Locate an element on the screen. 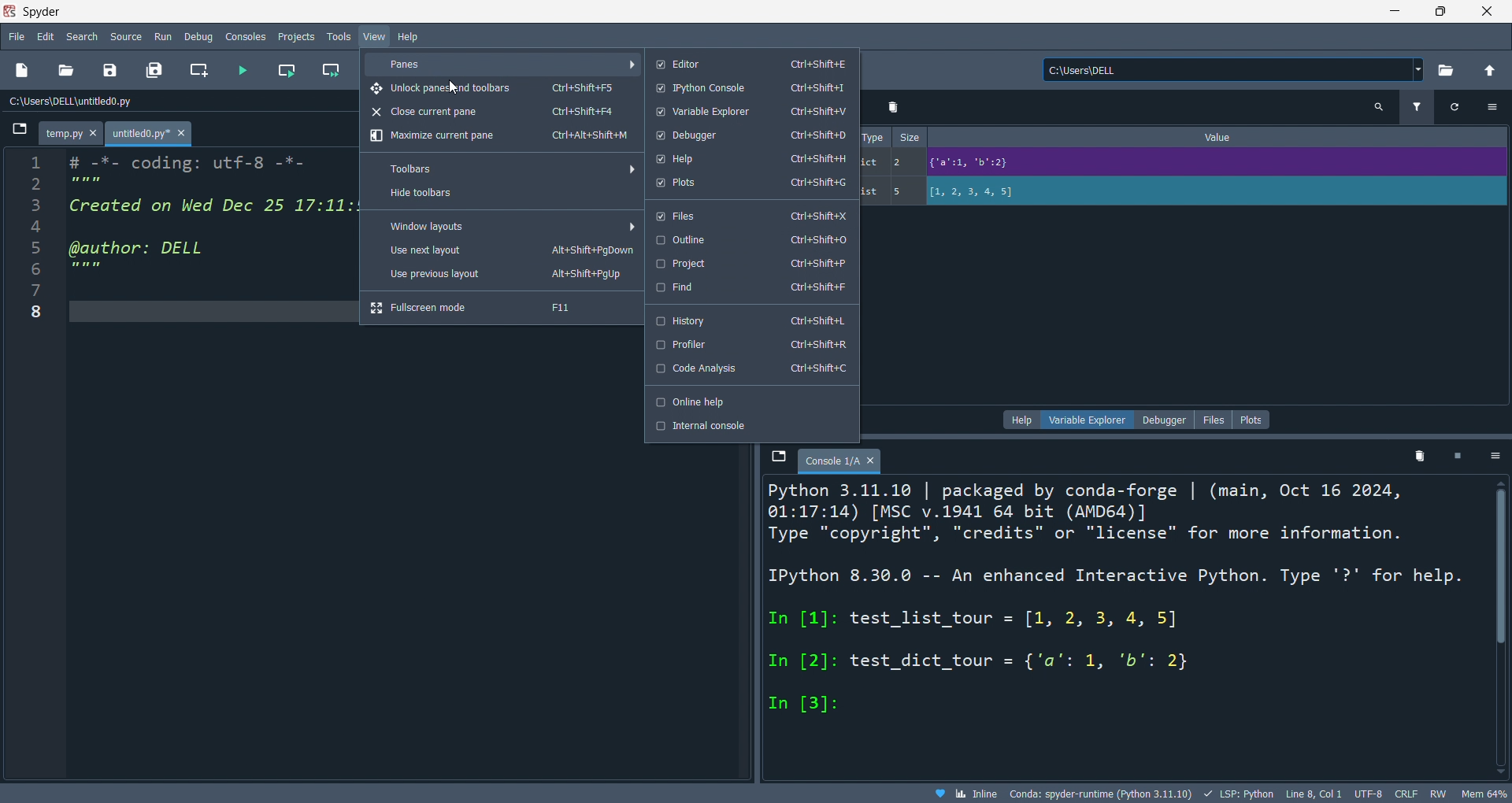 The height and width of the screenshot is (803, 1512). rw is located at coordinates (1436, 795).